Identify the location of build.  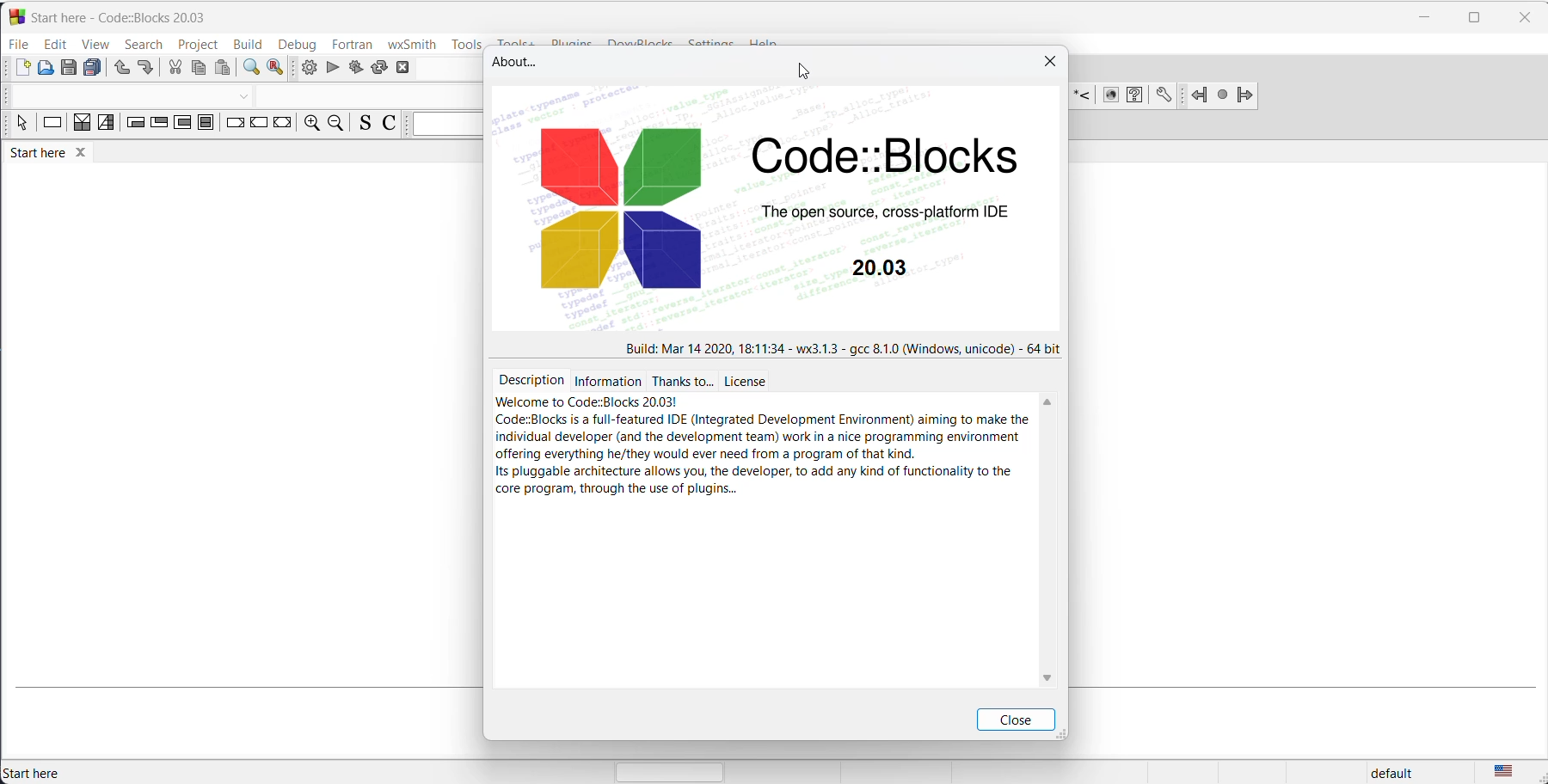
(306, 69).